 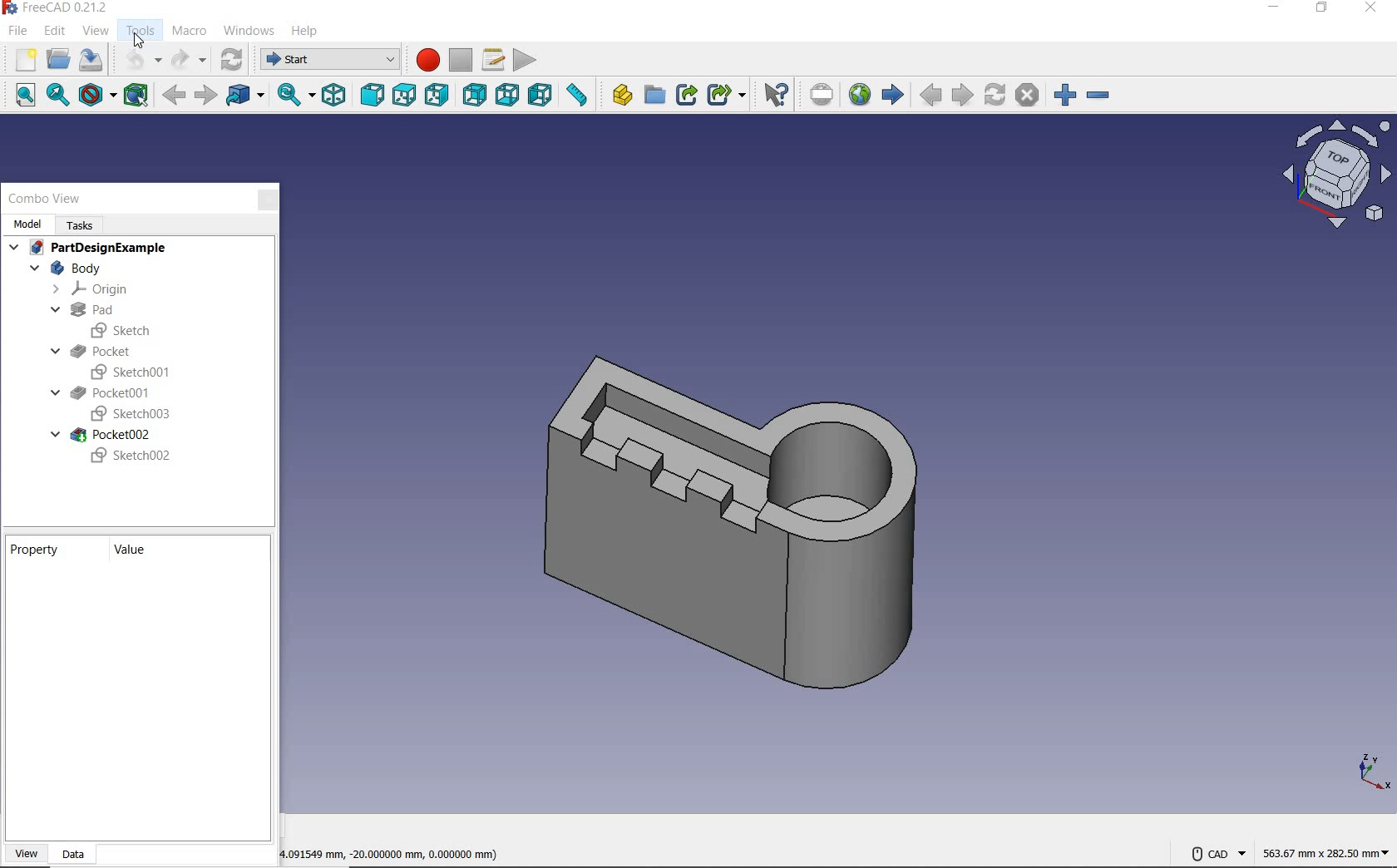 I want to click on Pocket, so click(x=114, y=348).